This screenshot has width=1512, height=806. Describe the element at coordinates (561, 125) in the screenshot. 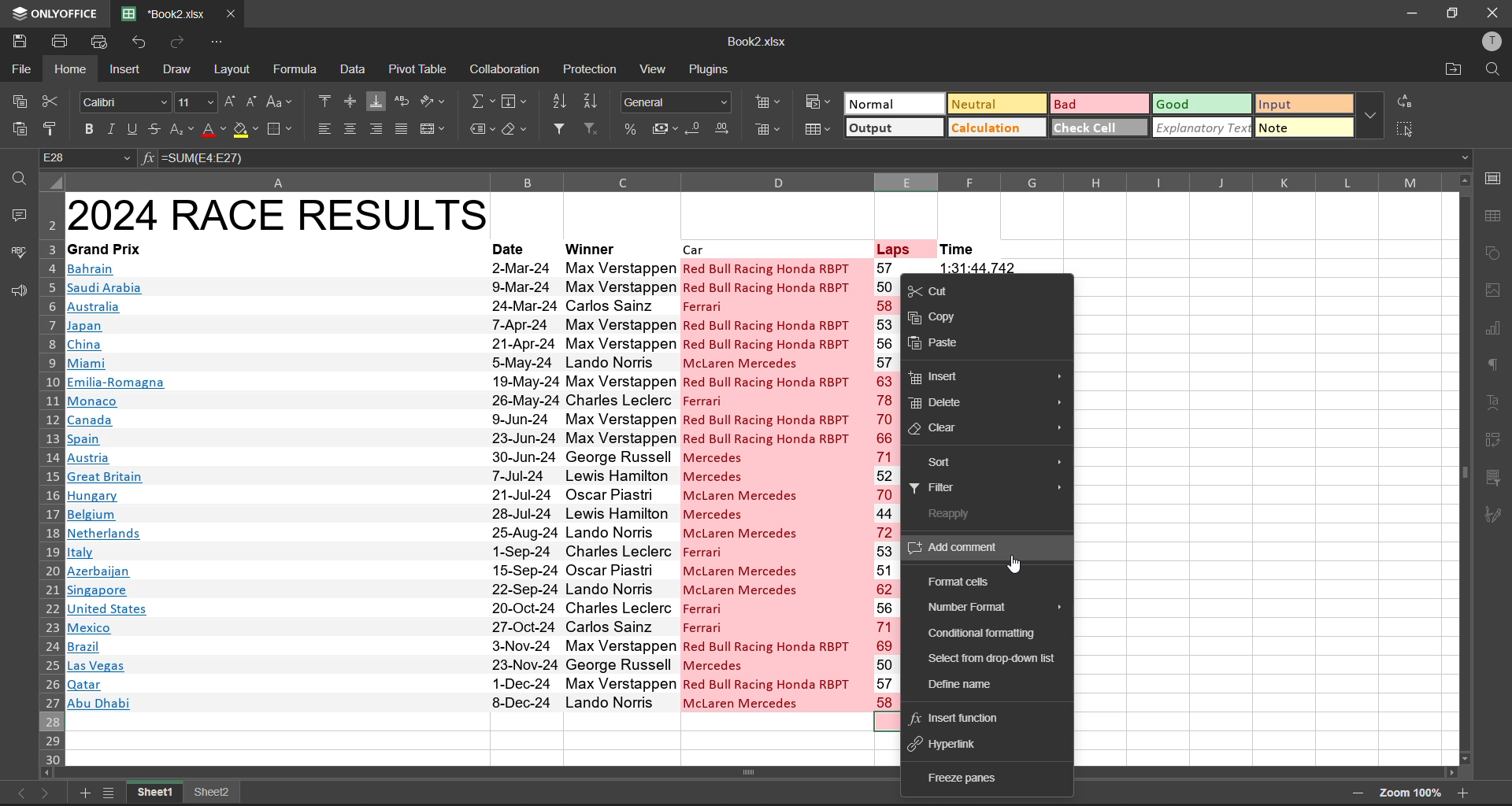

I see `filter` at that location.